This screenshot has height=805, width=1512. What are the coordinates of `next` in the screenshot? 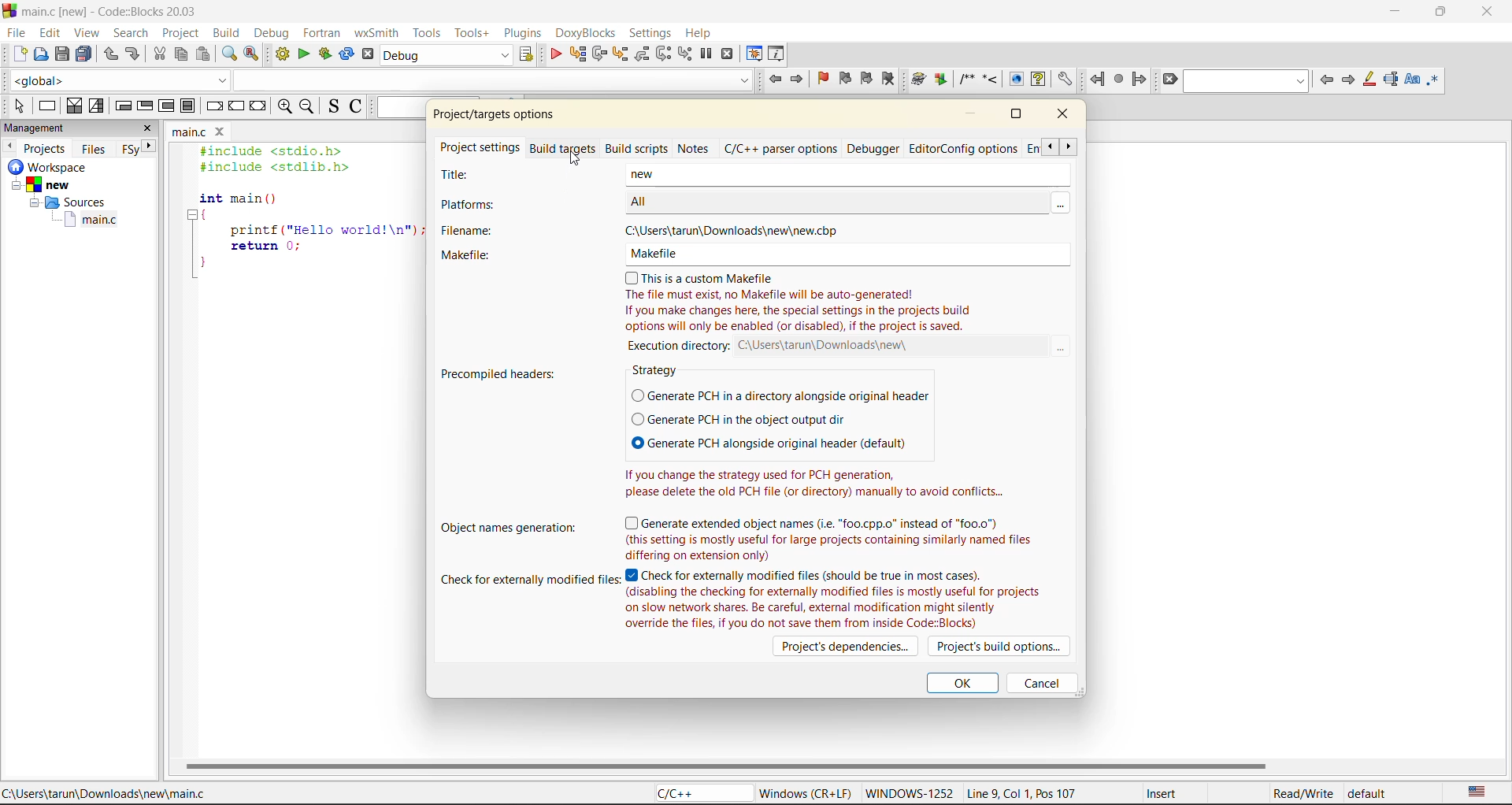 It's located at (151, 146).